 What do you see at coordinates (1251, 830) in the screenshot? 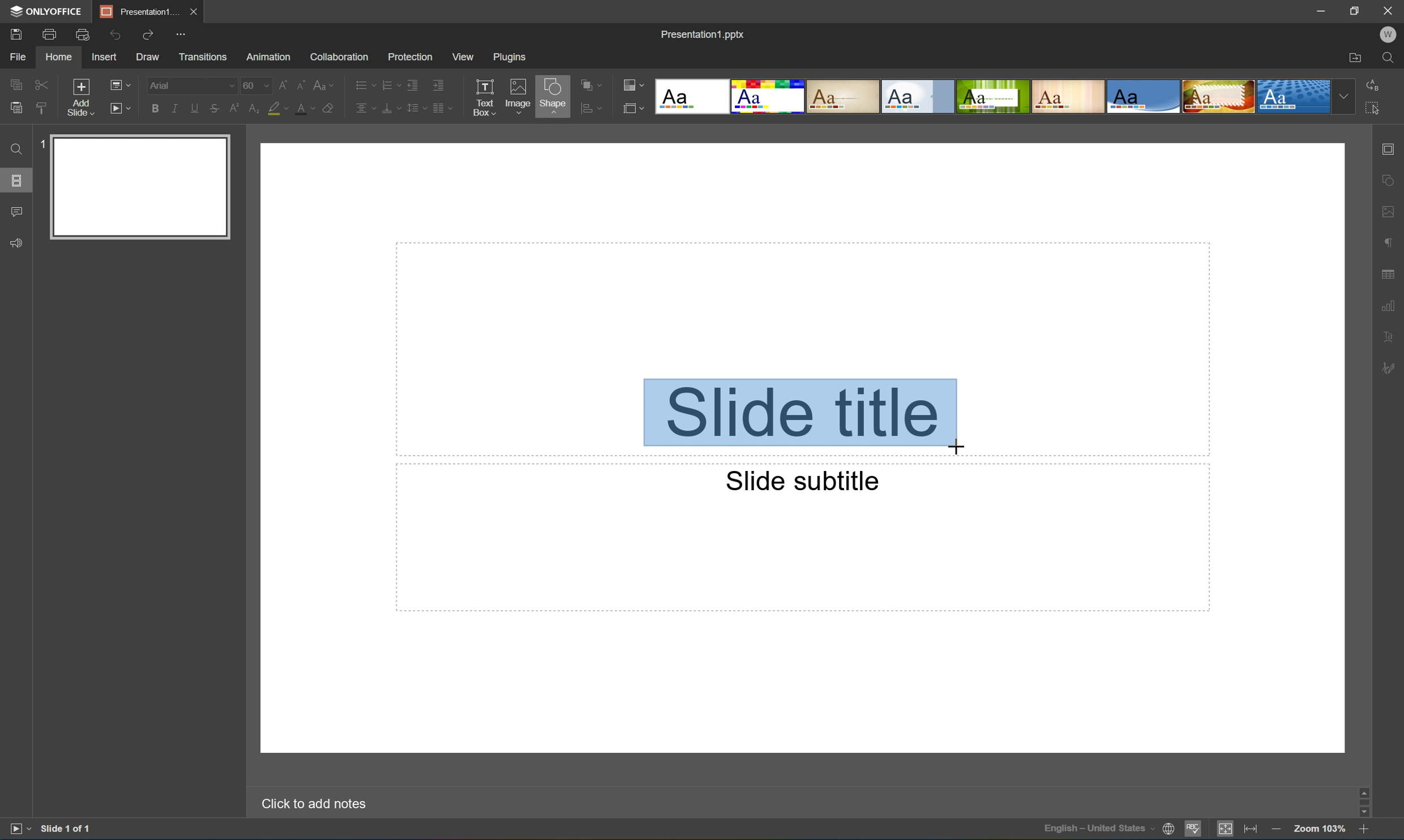
I see `Fit to width` at bounding box center [1251, 830].